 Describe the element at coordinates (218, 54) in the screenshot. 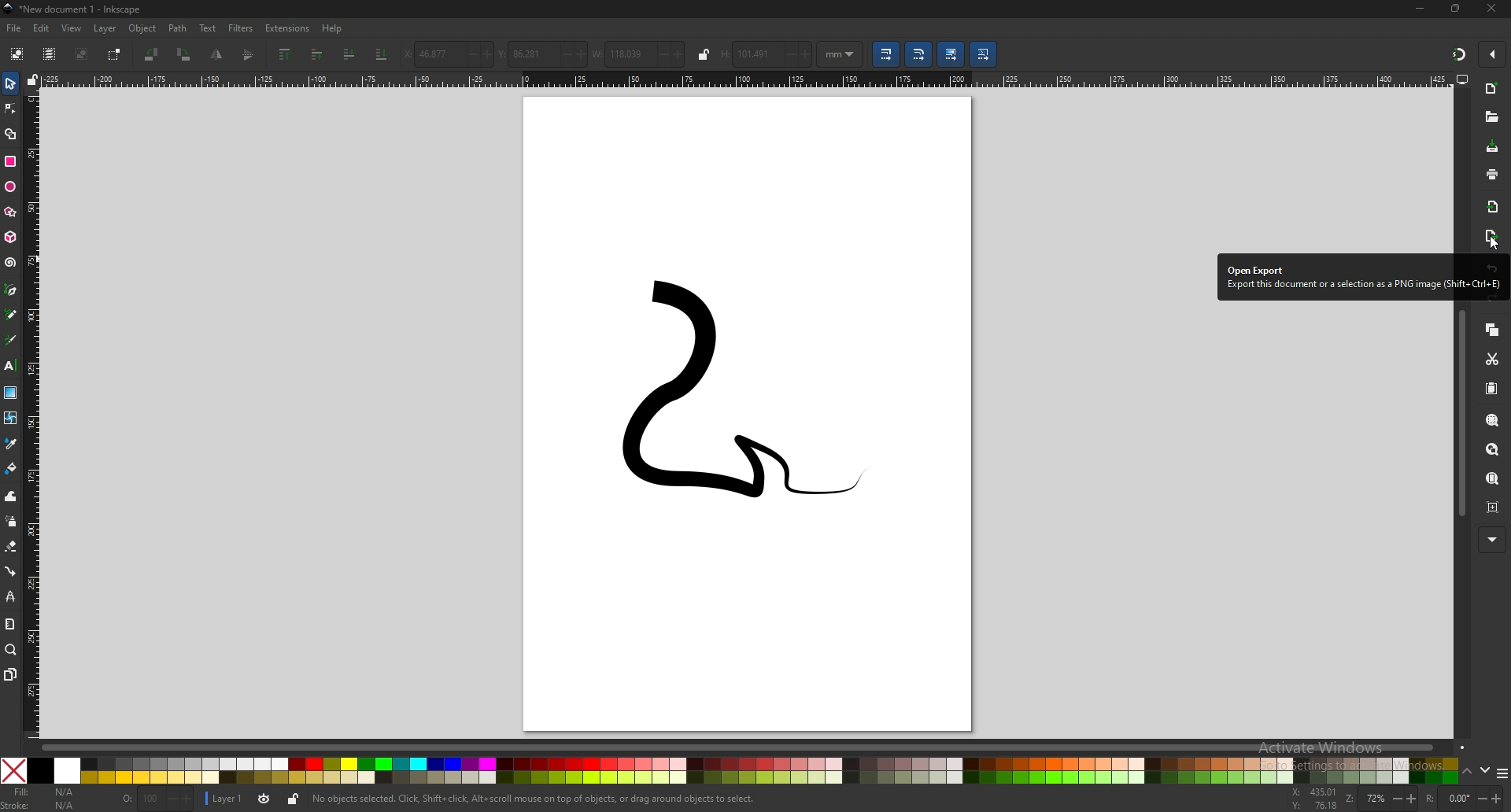

I see `flip vetically` at that location.